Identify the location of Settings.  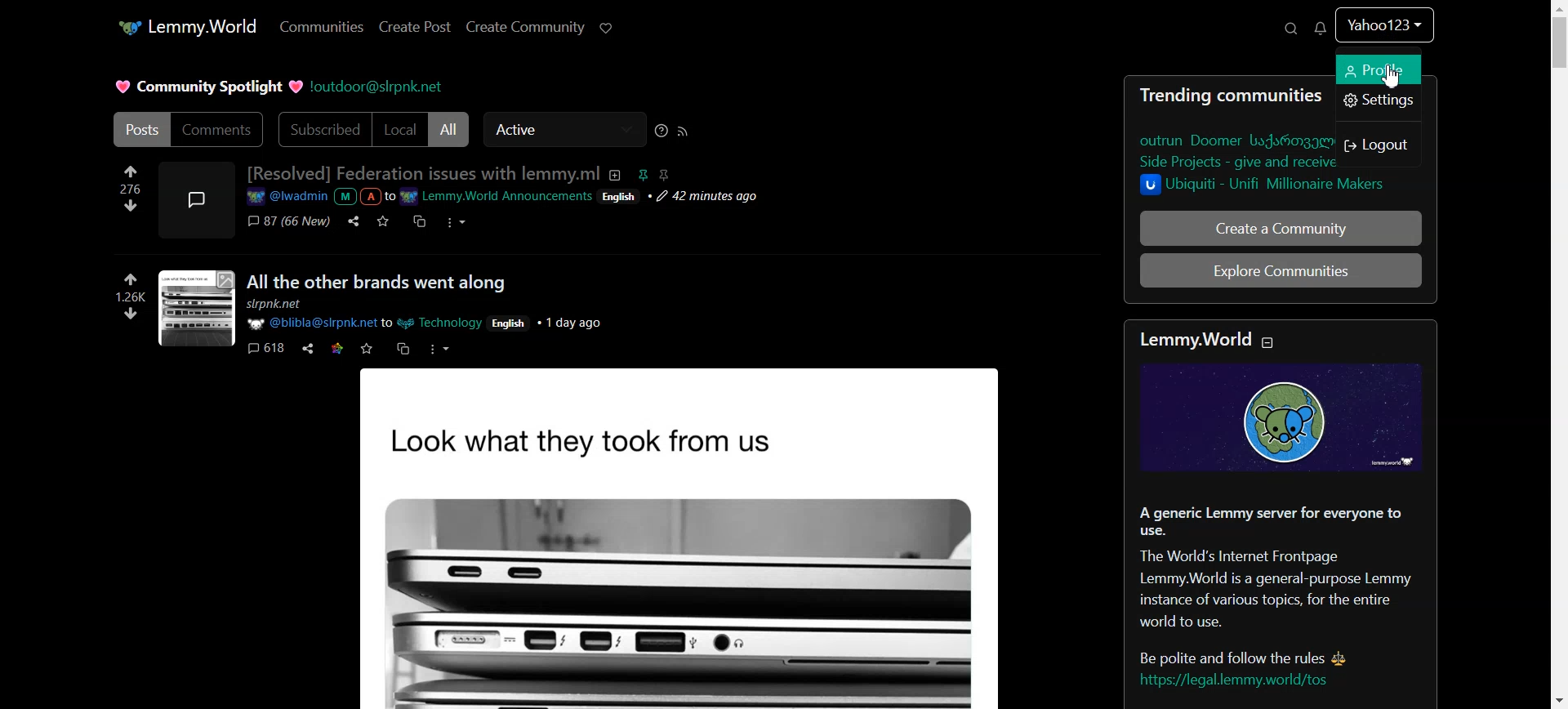
(1378, 103).